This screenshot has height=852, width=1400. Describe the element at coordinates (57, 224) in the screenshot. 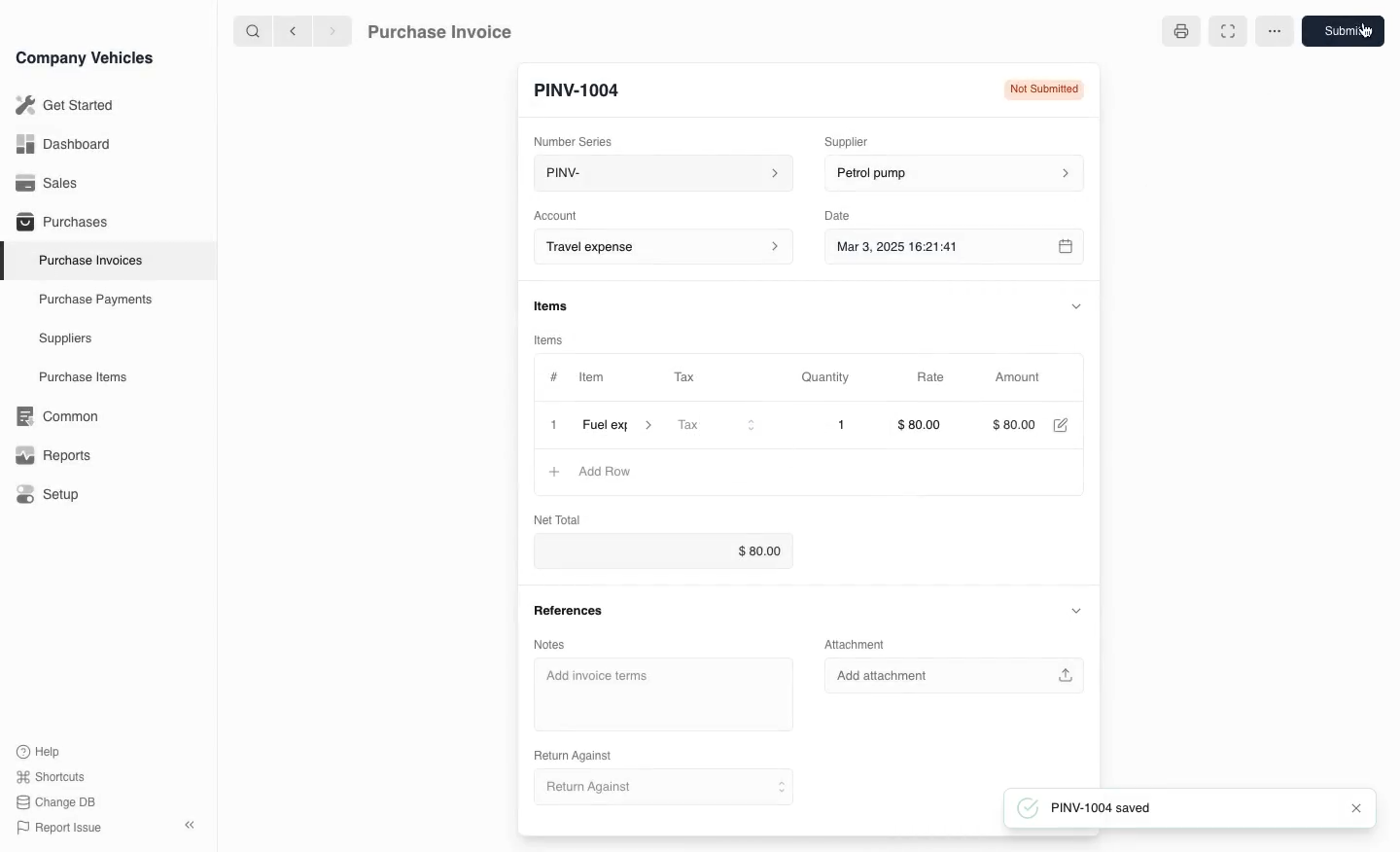

I see `Purchases` at that location.